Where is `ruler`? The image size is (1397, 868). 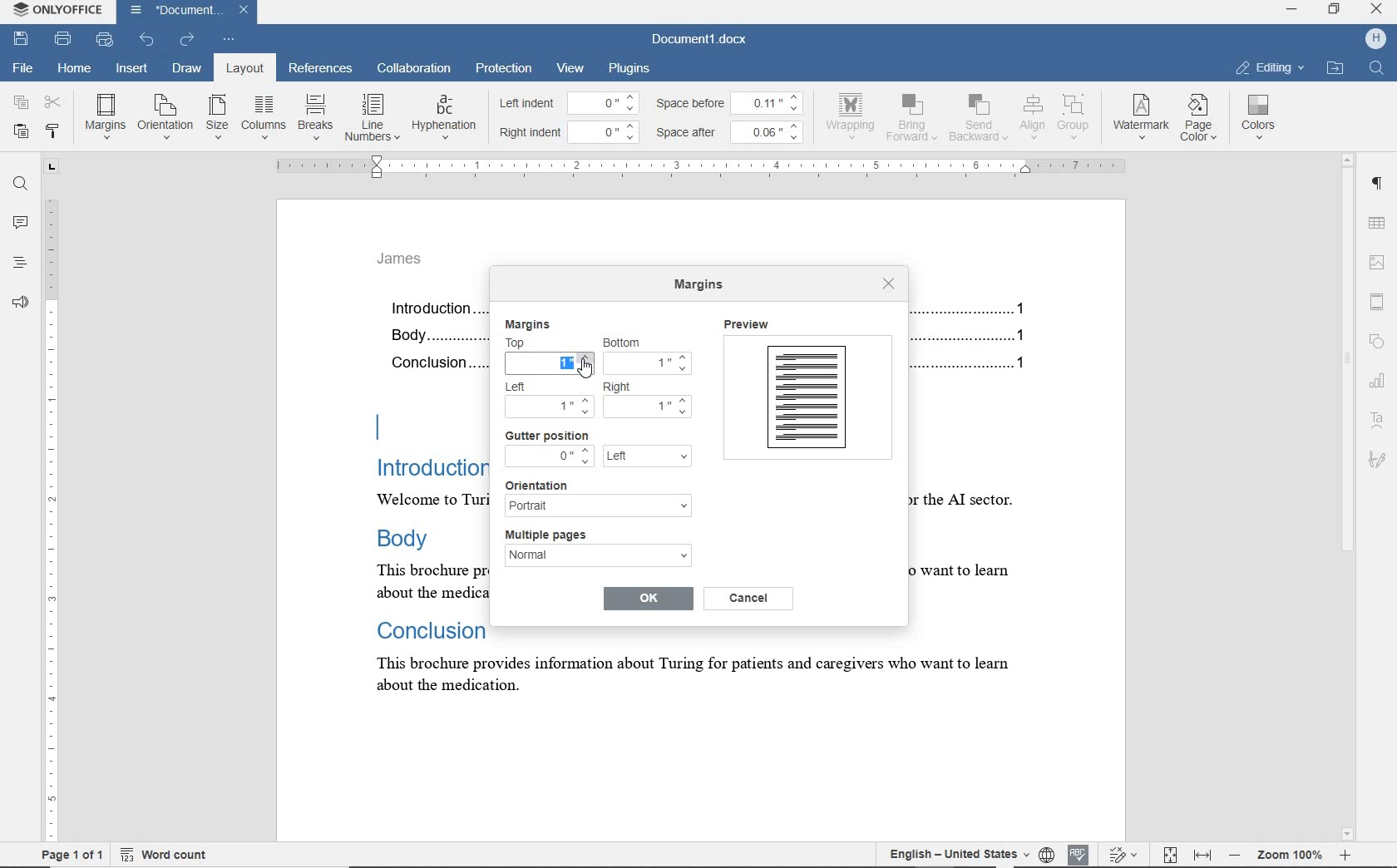 ruler is located at coordinates (704, 166).